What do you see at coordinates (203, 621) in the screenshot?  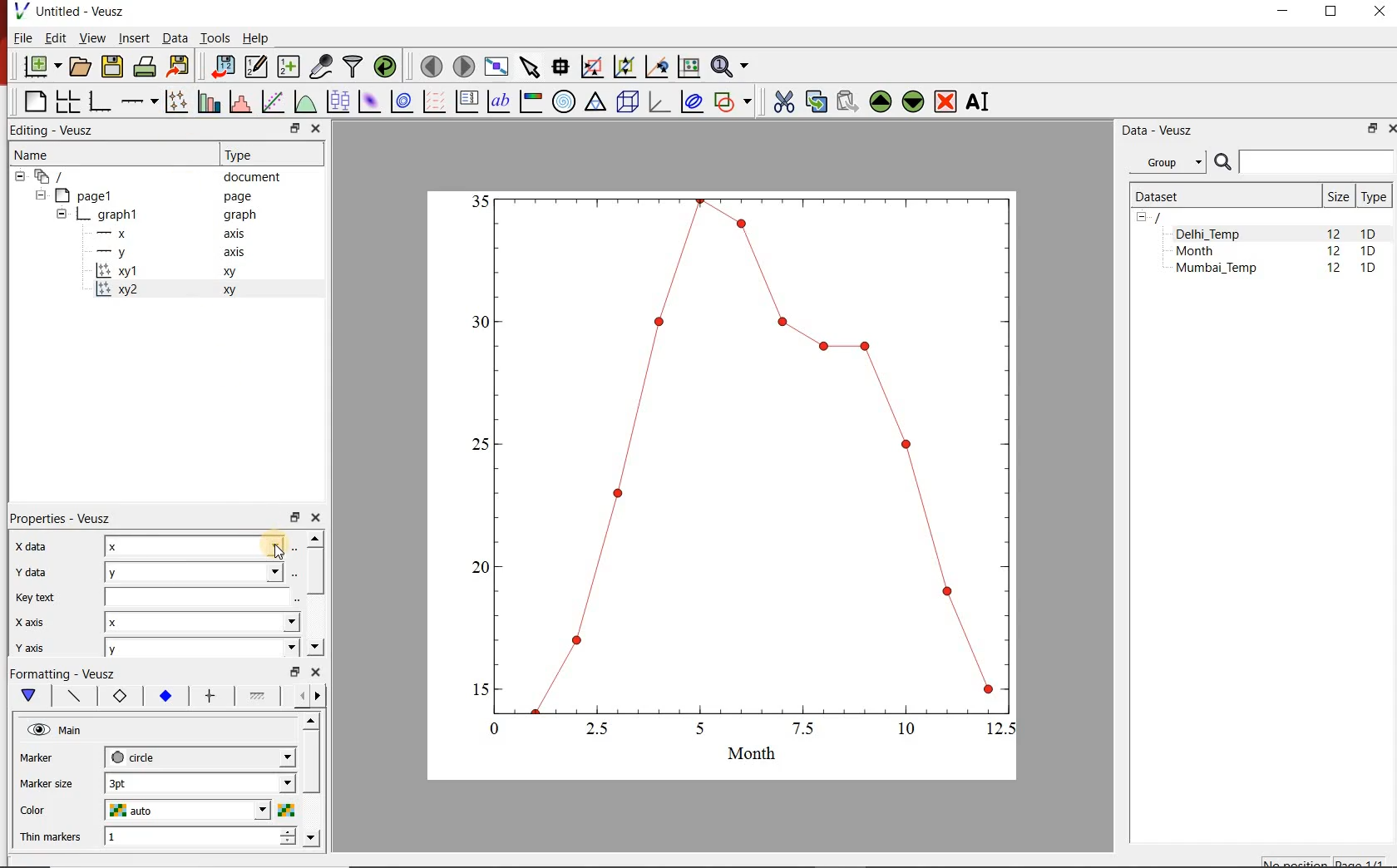 I see `x` at bounding box center [203, 621].